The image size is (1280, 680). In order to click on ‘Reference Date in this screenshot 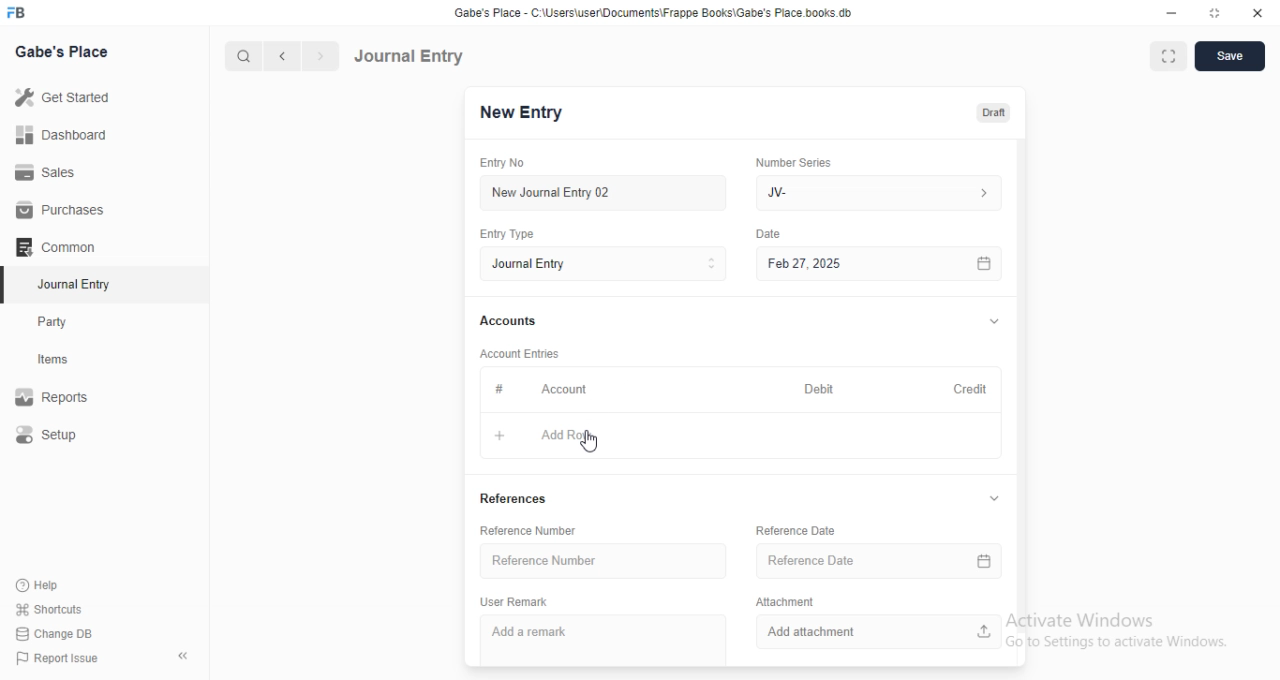, I will do `click(795, 530)`.